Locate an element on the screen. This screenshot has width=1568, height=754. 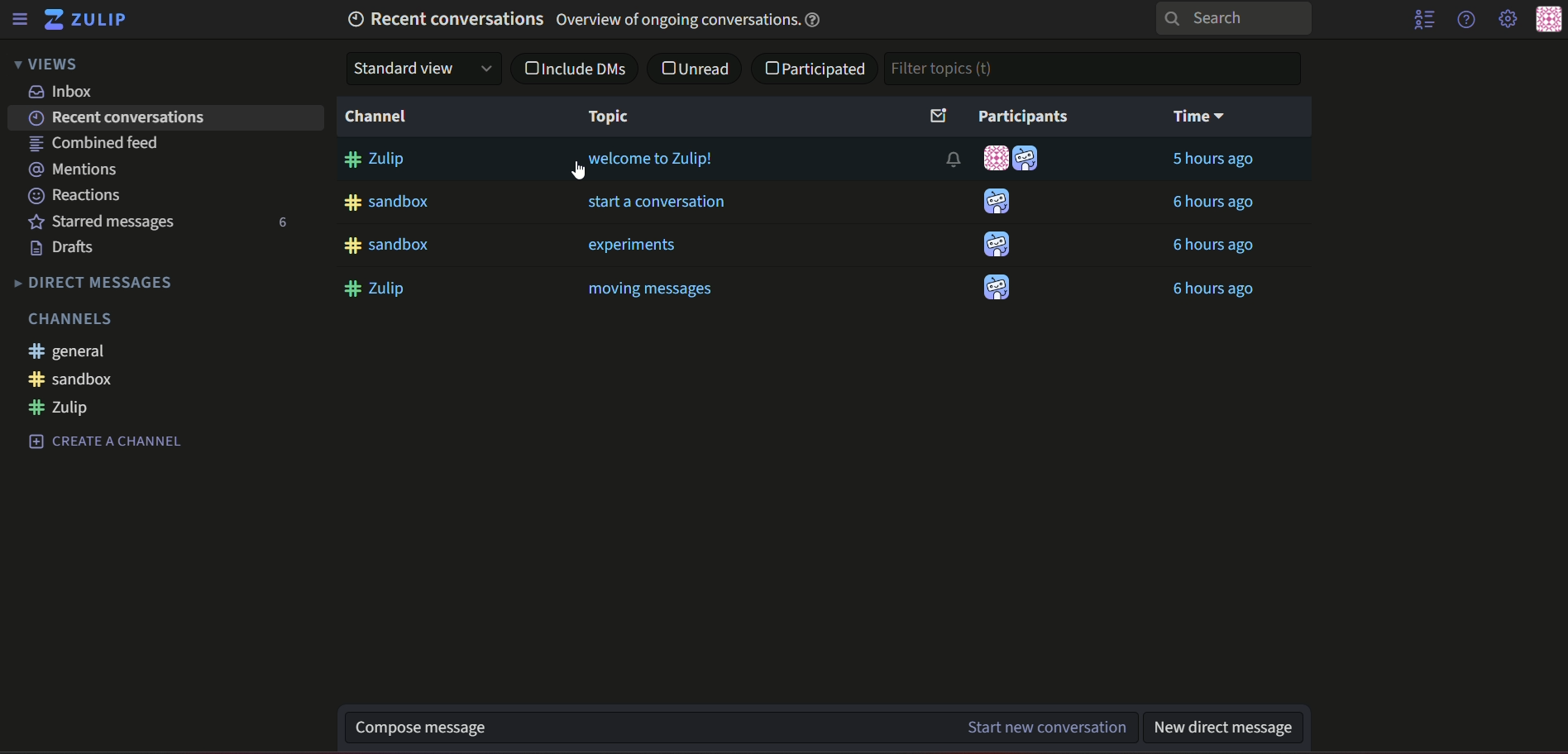
user list is located at coordinates (1425, 21).